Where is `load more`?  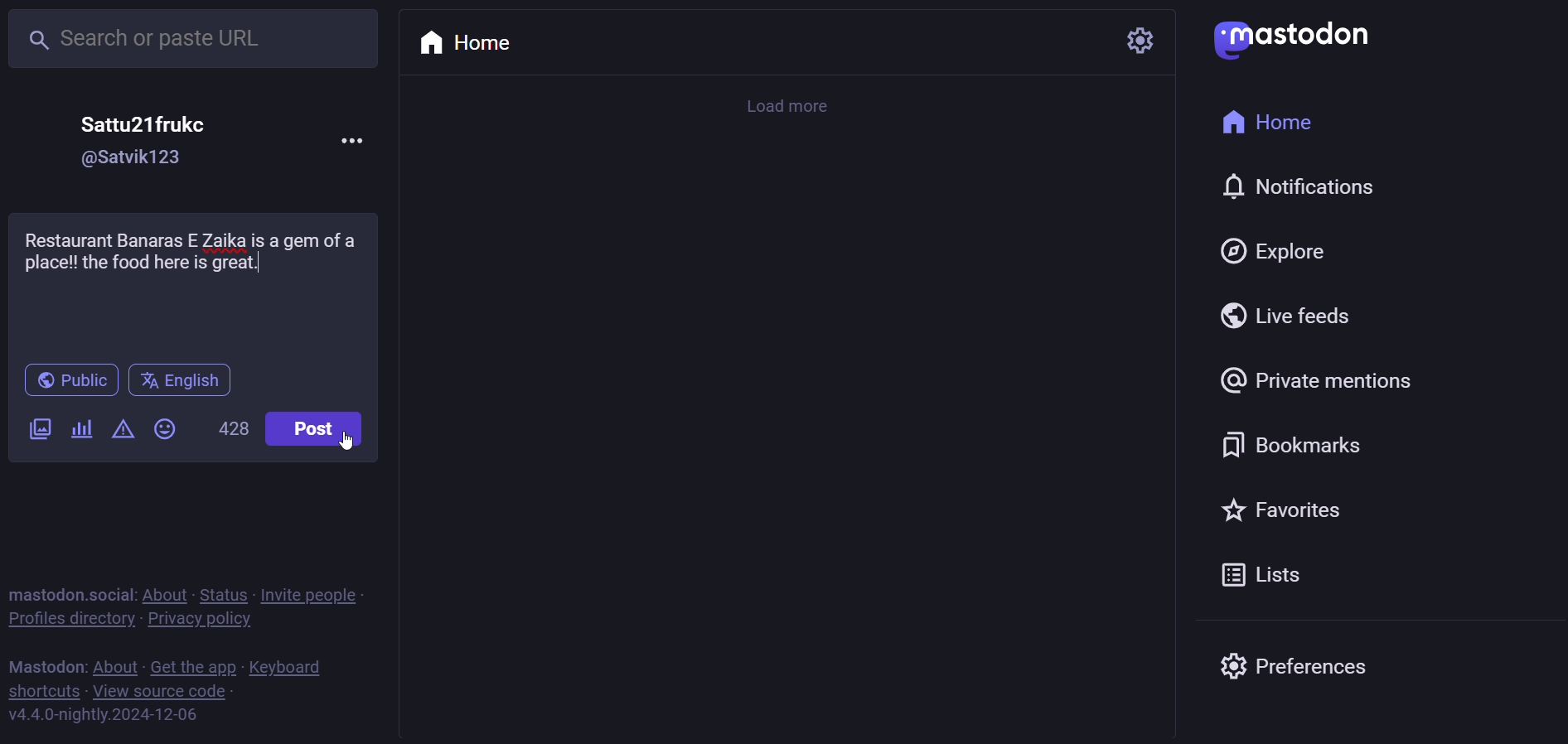
load more is located at coordinates (794, 108).